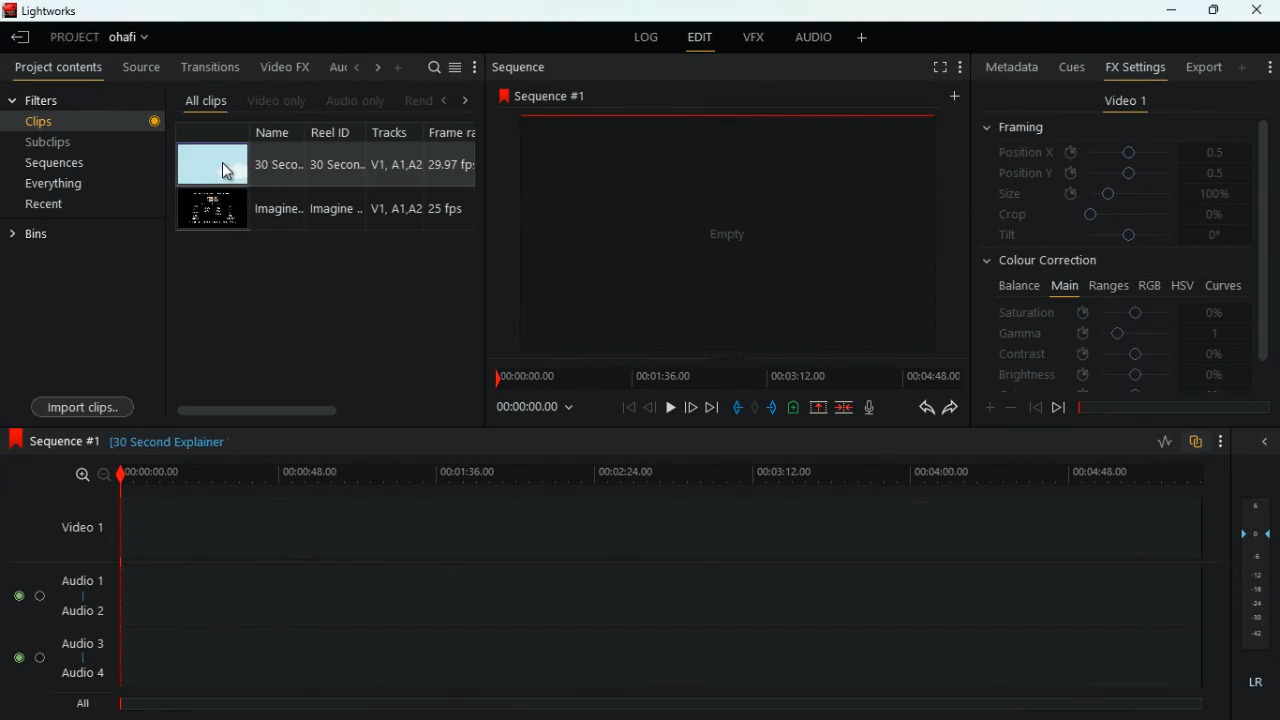 Image resolution: width=1280 pixels, height=720 pixels. Describe the element at coordinates (1252, 604) in the screenshot. I see `-24 (layer)` at that location.